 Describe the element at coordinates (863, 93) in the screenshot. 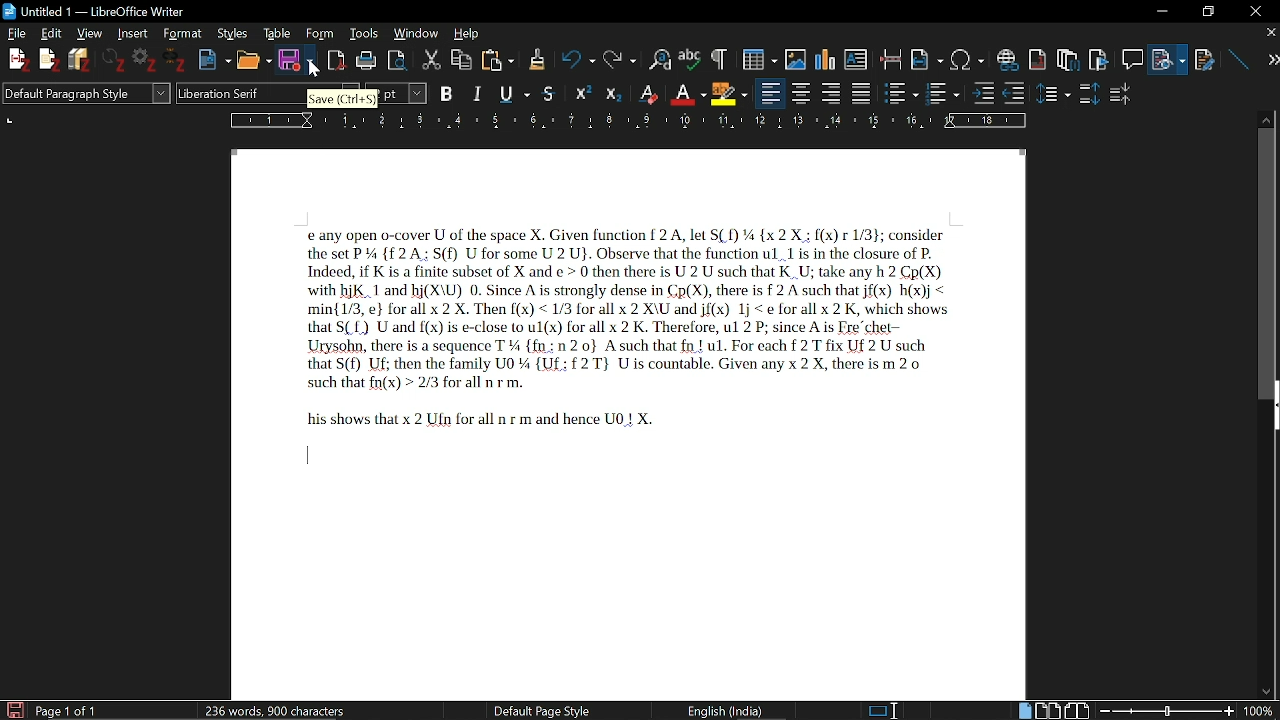

I see `justified` at that location.